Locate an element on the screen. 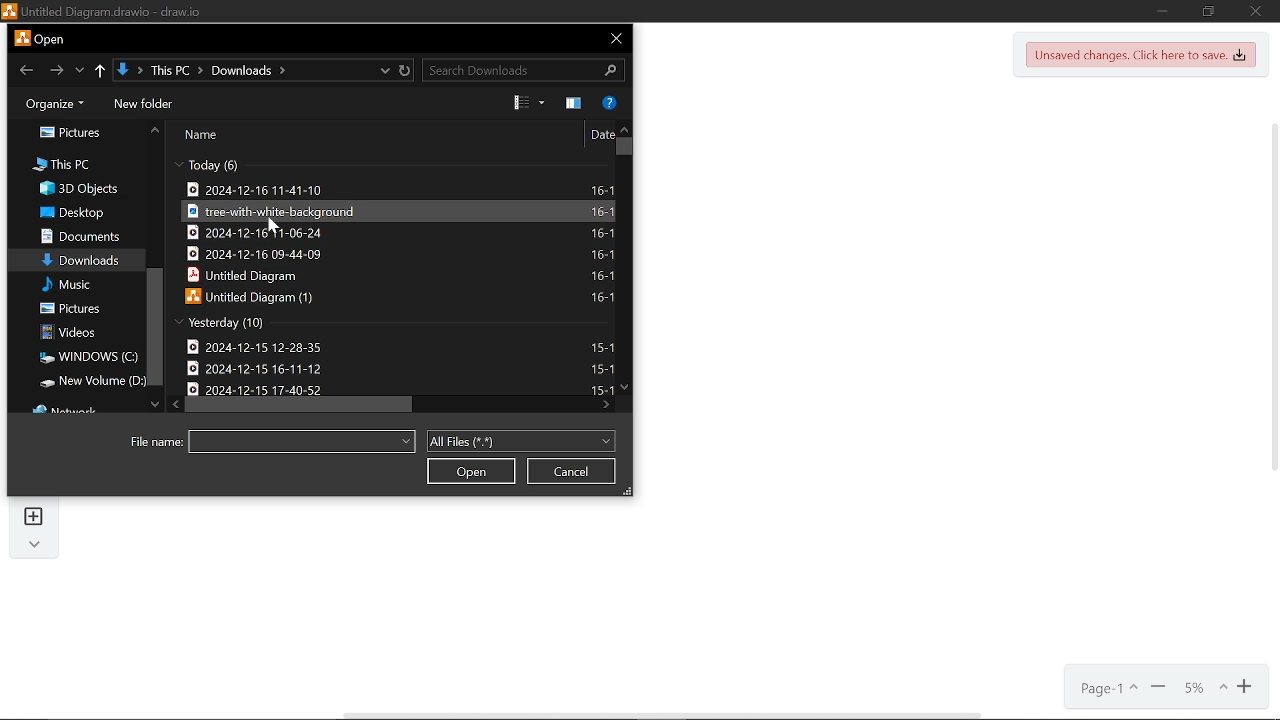  CLose is located at coordinates (614, 39).